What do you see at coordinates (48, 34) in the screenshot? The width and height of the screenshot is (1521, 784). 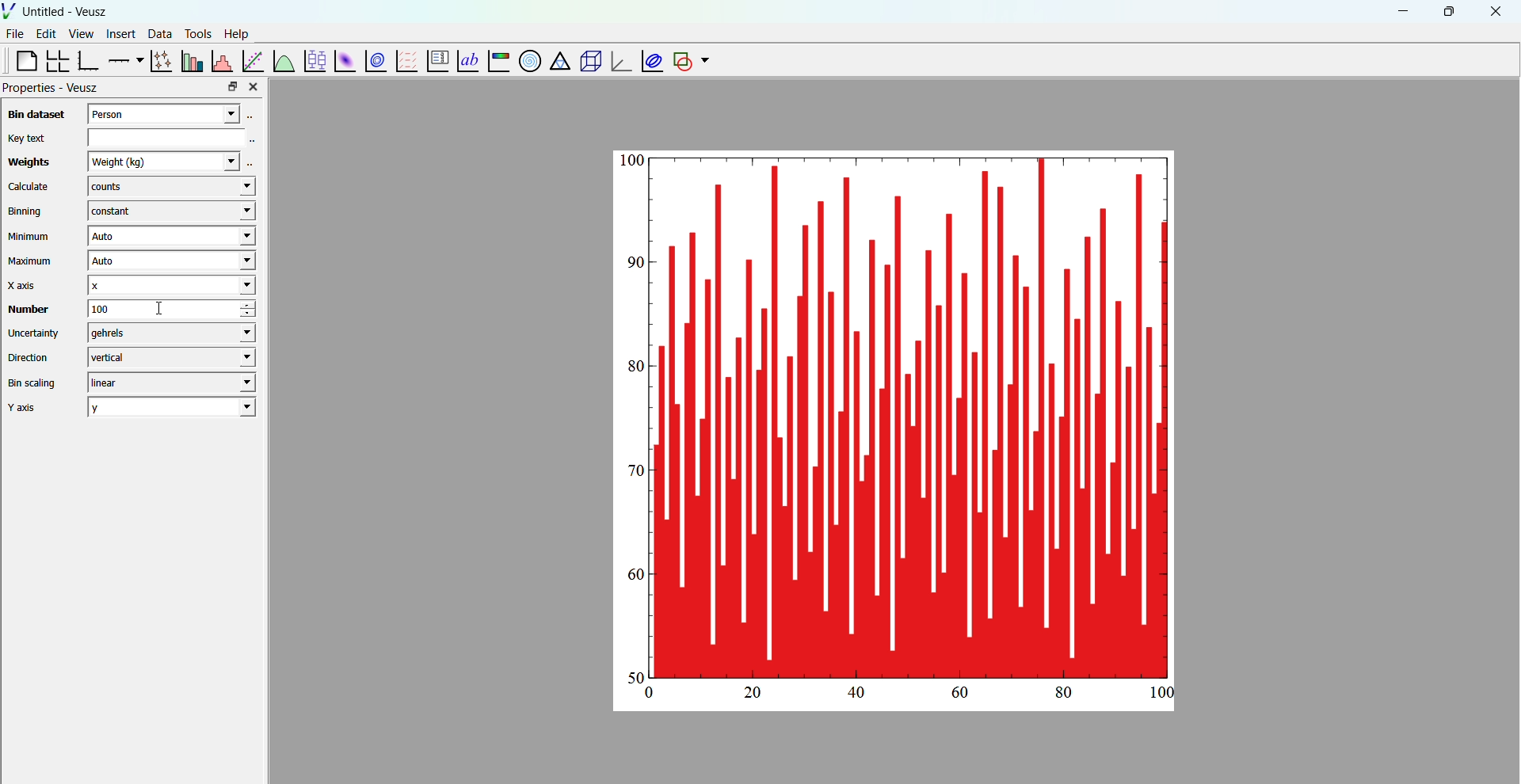 I see `edit` at bounding box center [48, 34].